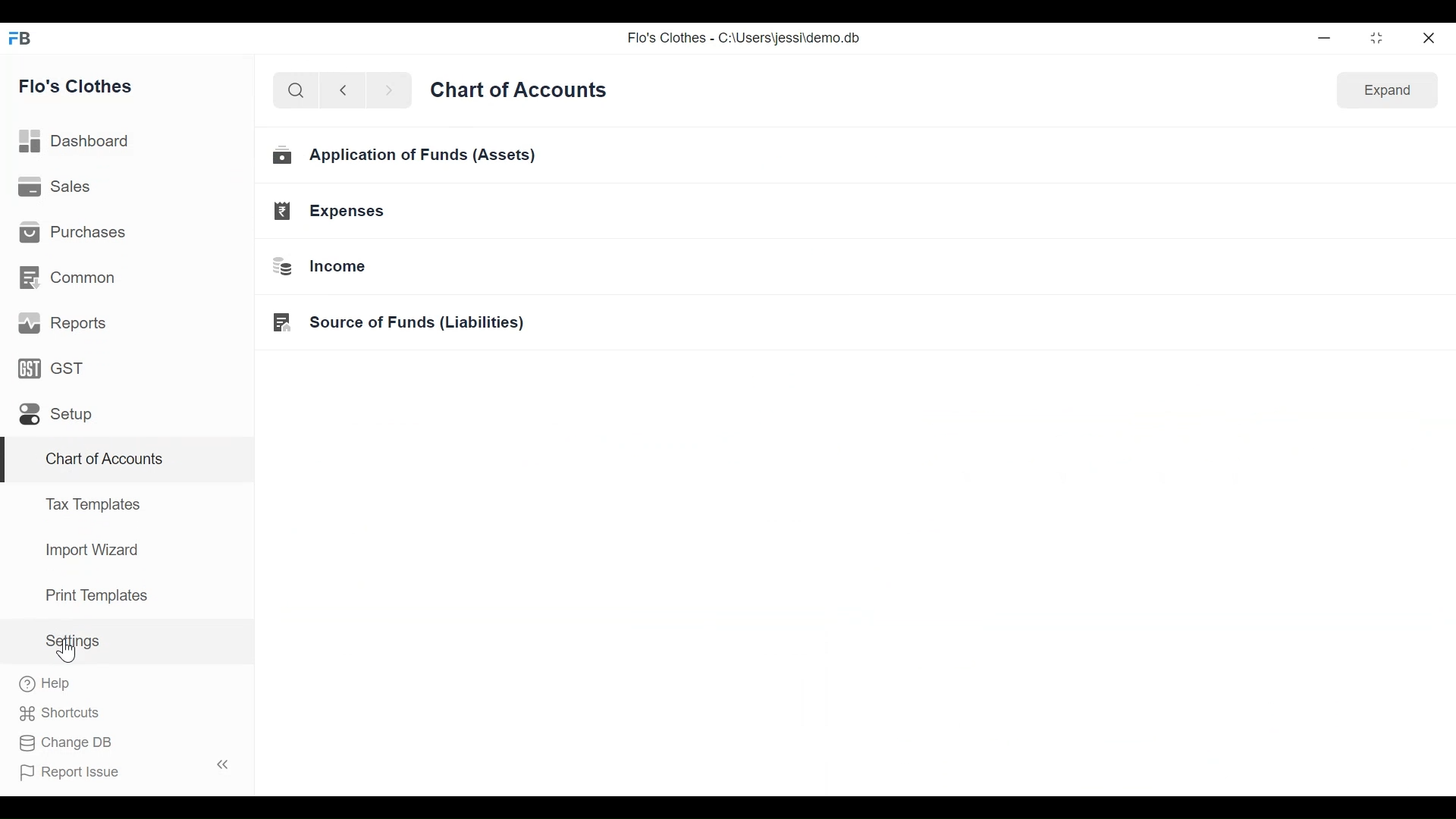 This screenshot has height=819, width=1456. Describe the element at coordinates (71, 231) in the screenshot. I see `purchases` at that location.